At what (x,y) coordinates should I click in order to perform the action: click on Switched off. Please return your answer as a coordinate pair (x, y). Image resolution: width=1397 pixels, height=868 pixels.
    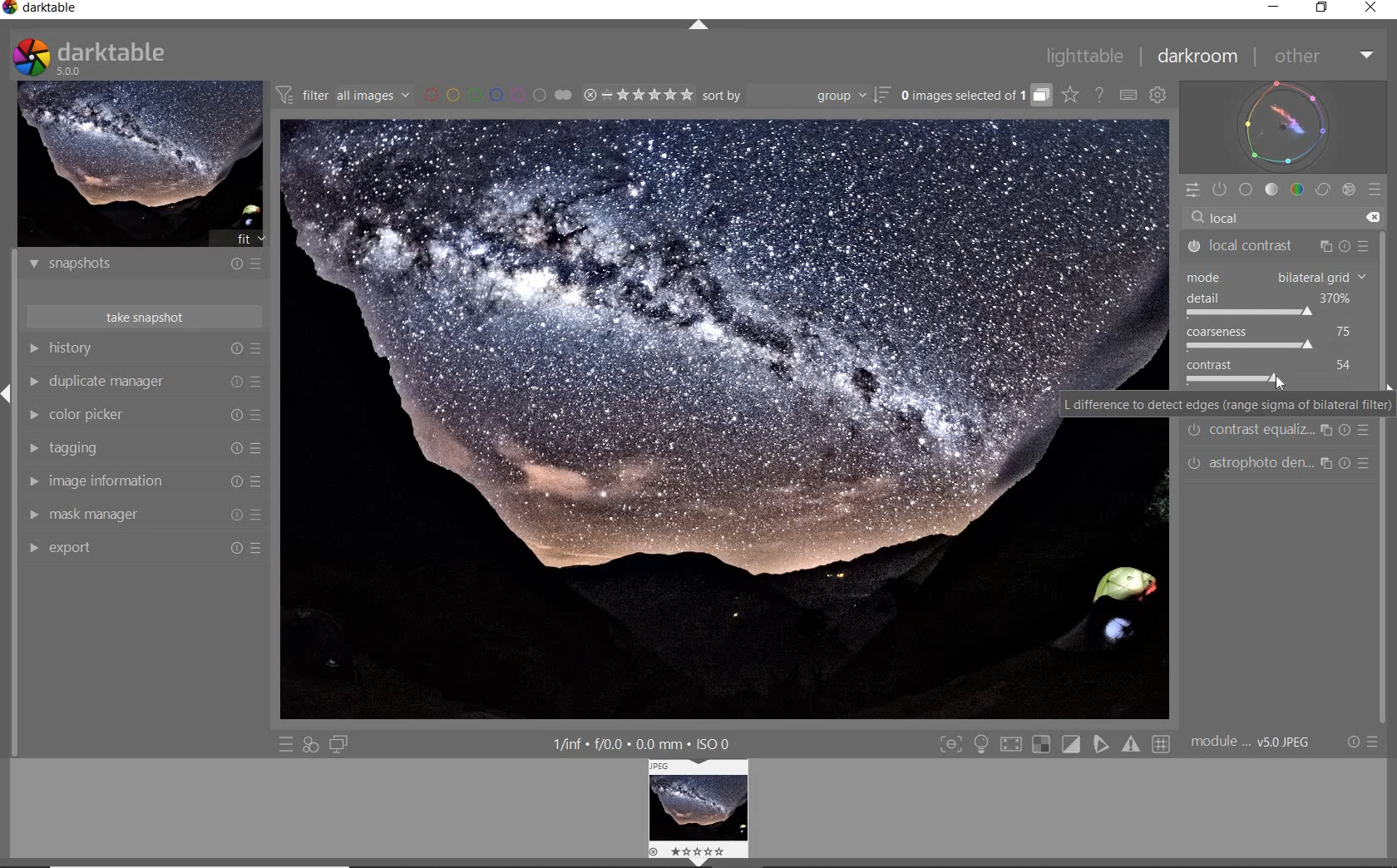
    Looking at the image, I should click on (1189, 463).